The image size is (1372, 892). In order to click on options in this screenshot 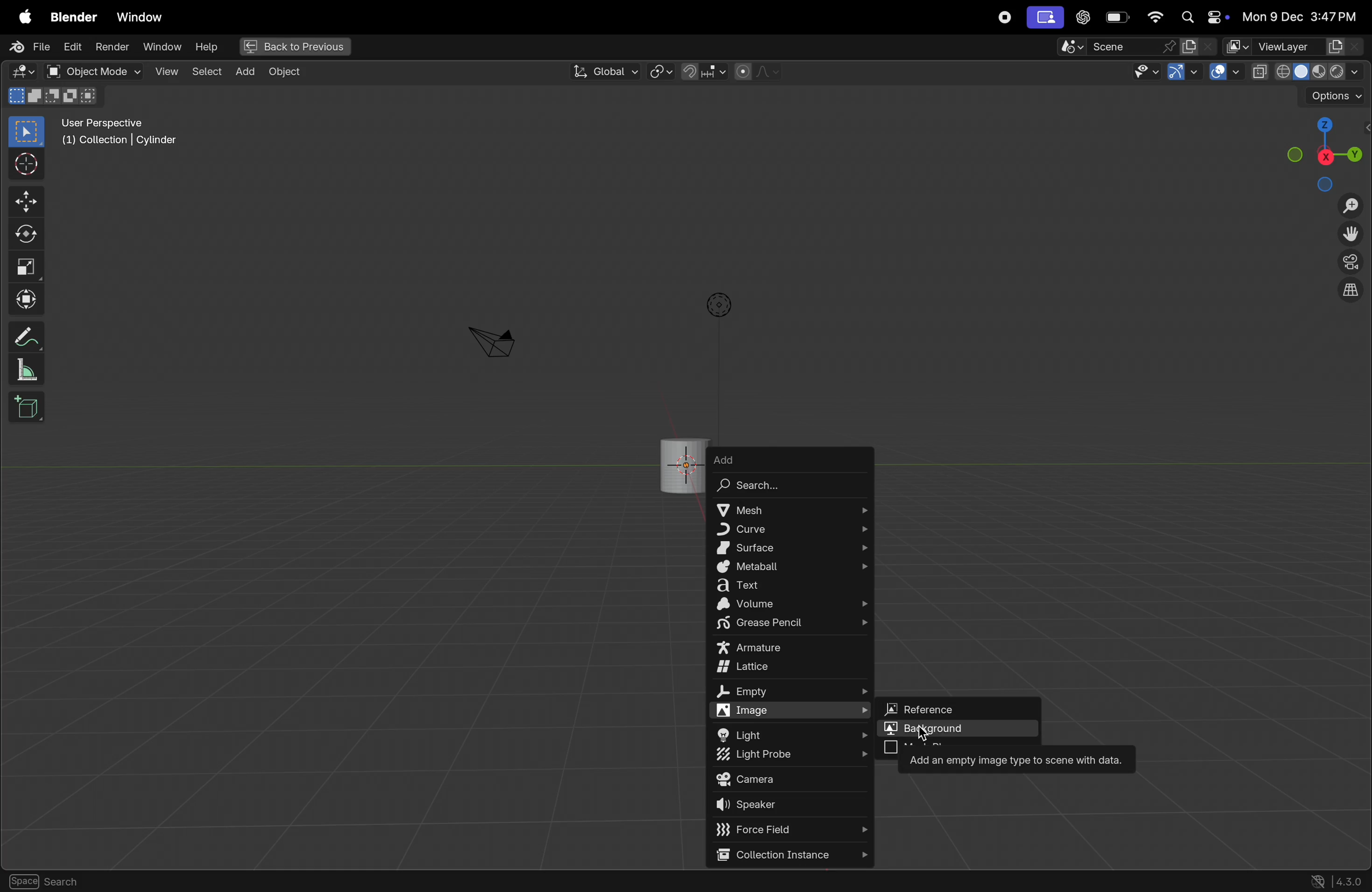, I will do `click(1333, 96)`.